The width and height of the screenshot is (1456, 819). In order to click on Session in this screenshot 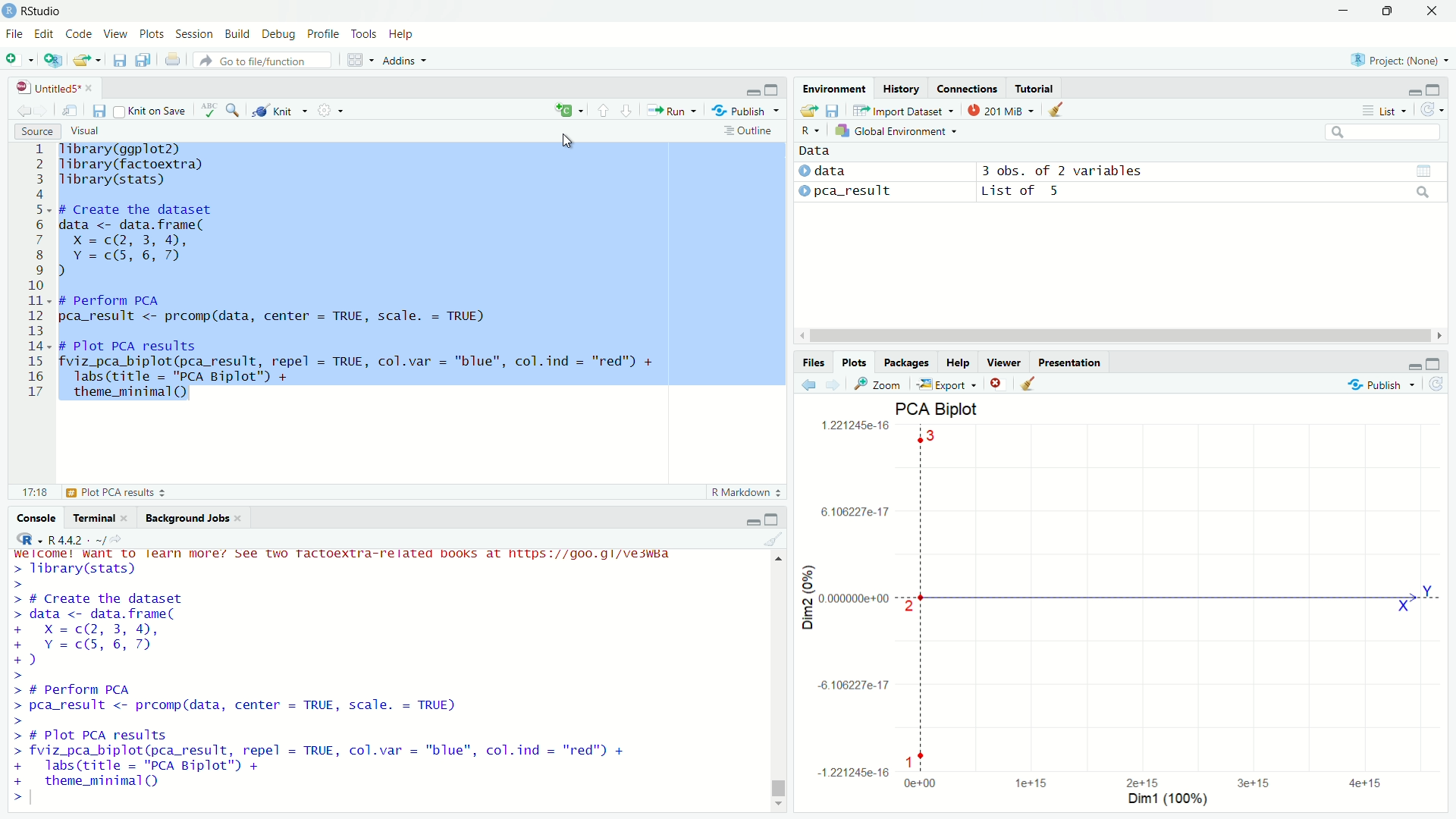, I will do `click(196, 35)`.